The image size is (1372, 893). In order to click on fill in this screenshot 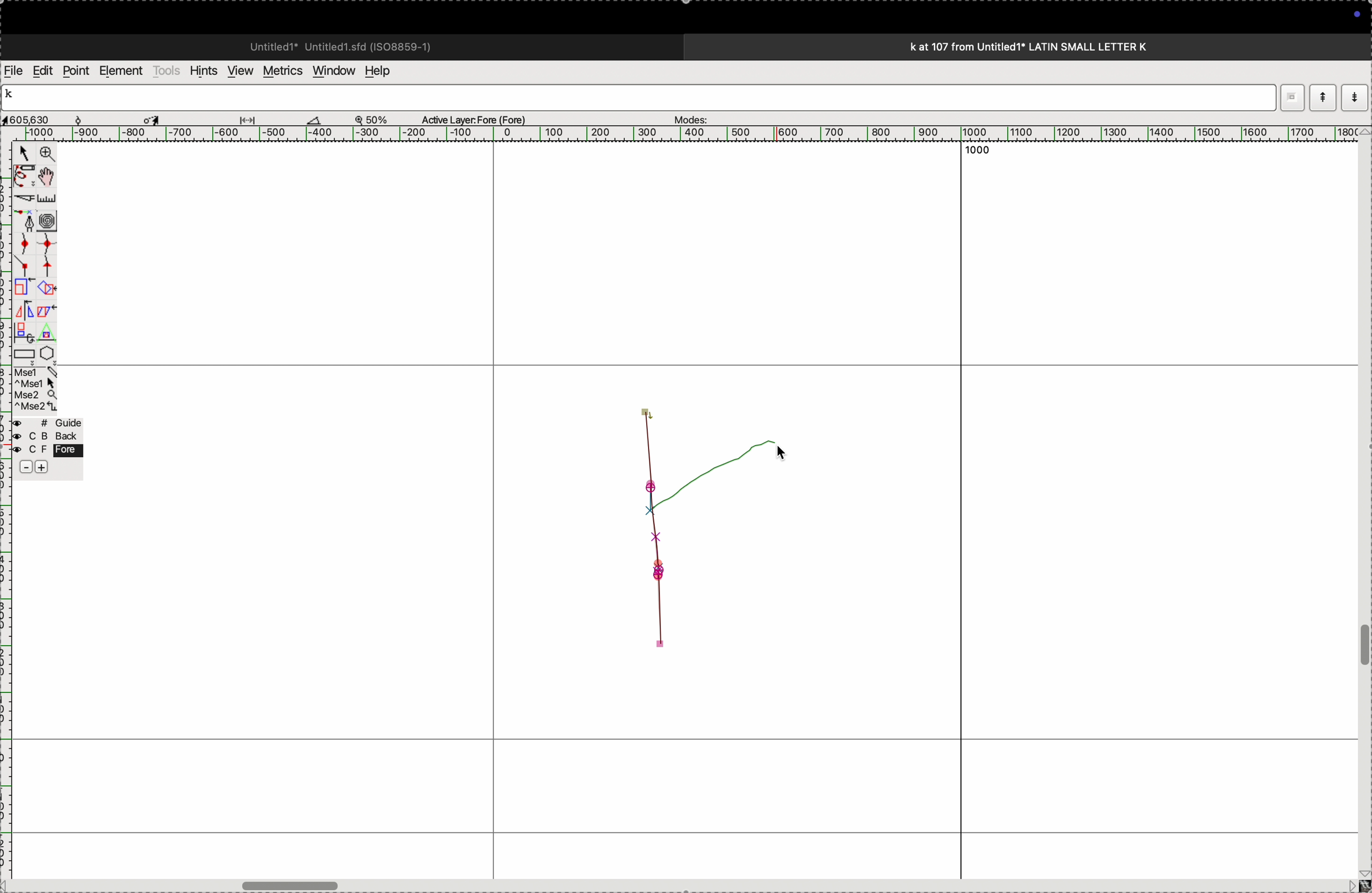, I will do `click(48, 287)`.